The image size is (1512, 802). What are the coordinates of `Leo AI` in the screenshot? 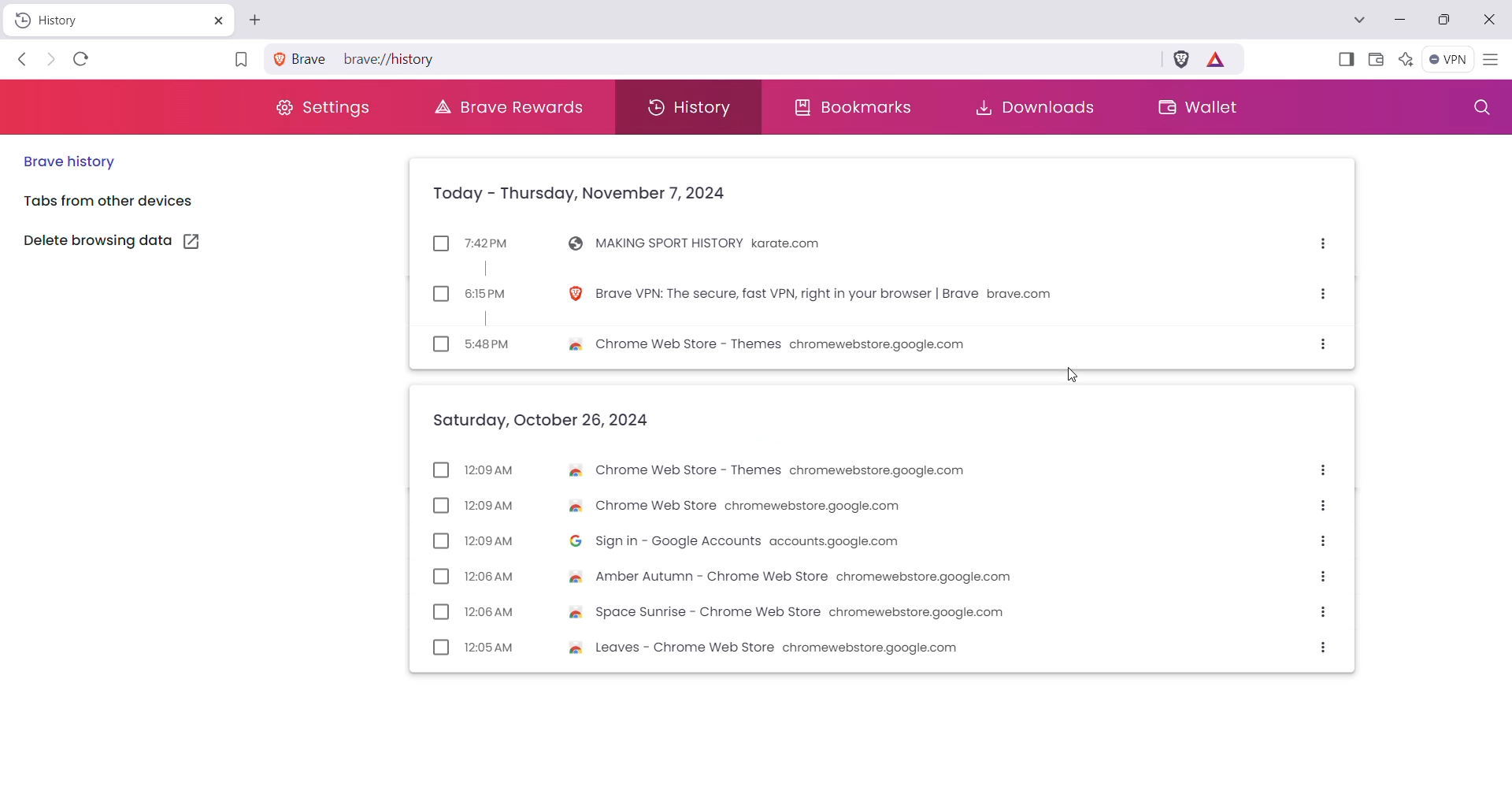 It's located at (1405, 59).